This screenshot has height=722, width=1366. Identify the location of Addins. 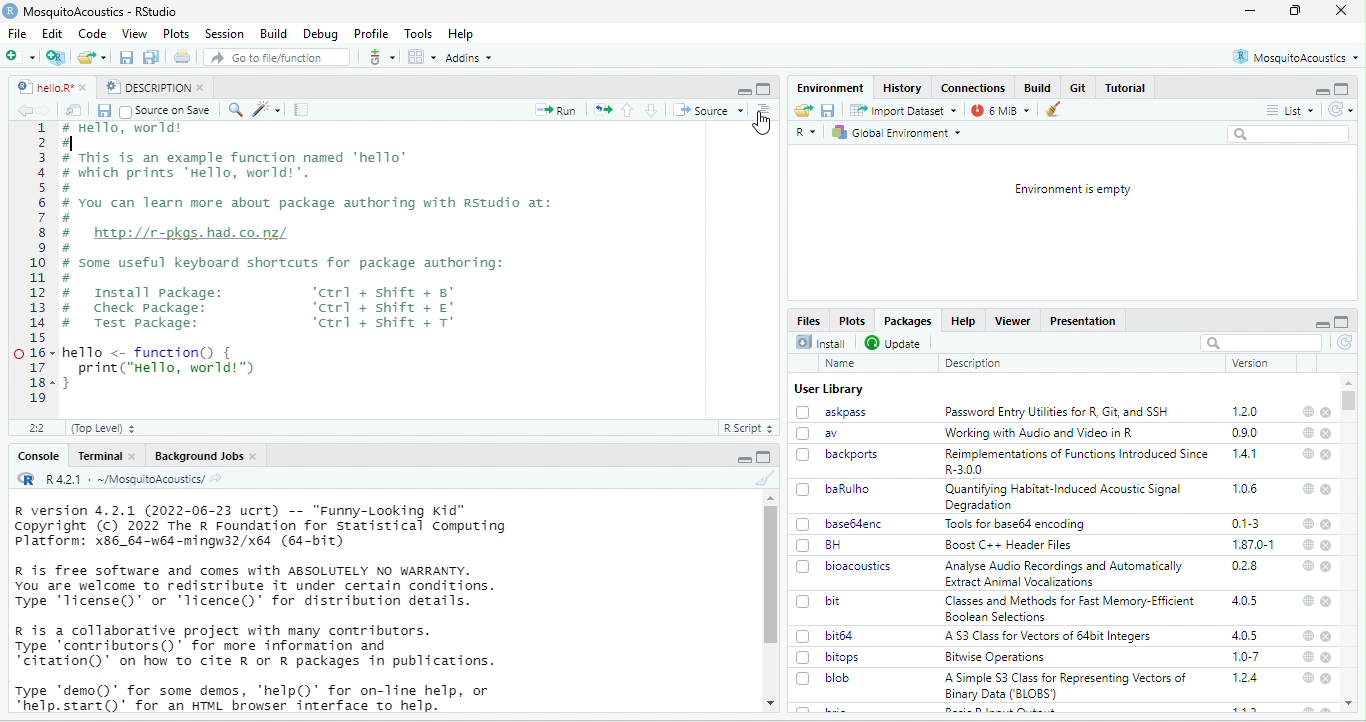
(469, 57).